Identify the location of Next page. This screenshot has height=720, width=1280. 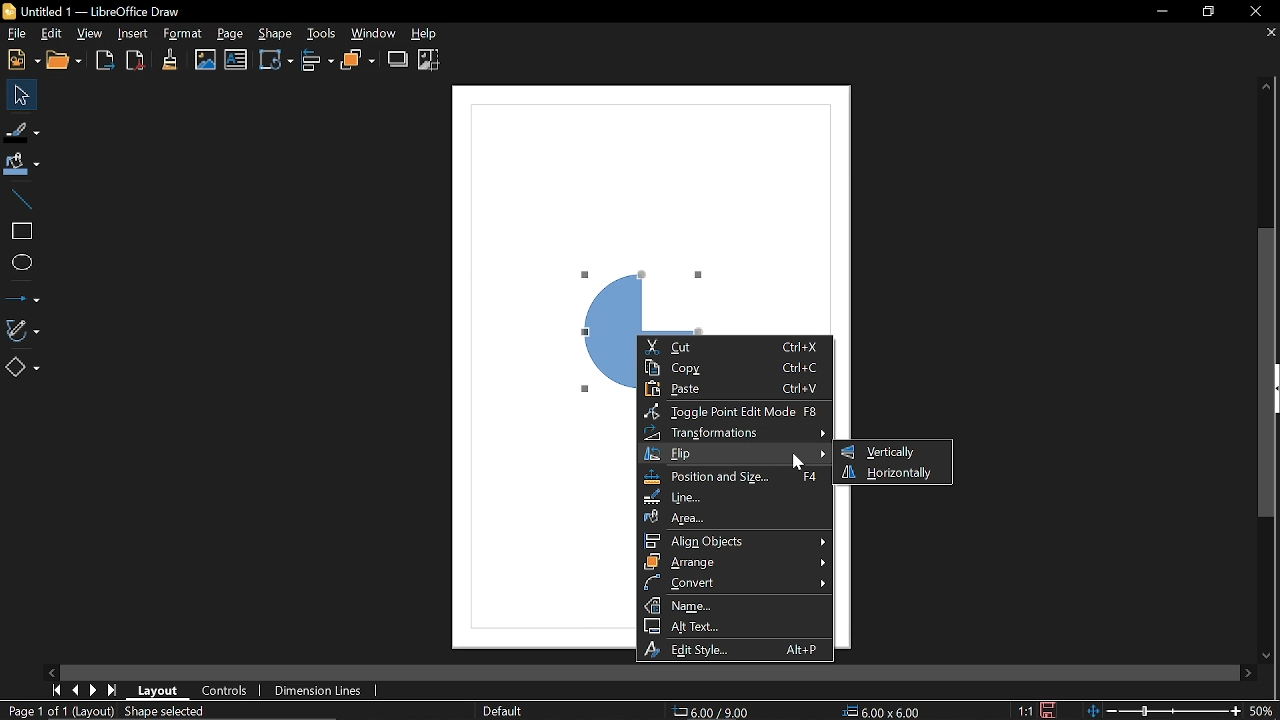
(94, 690).